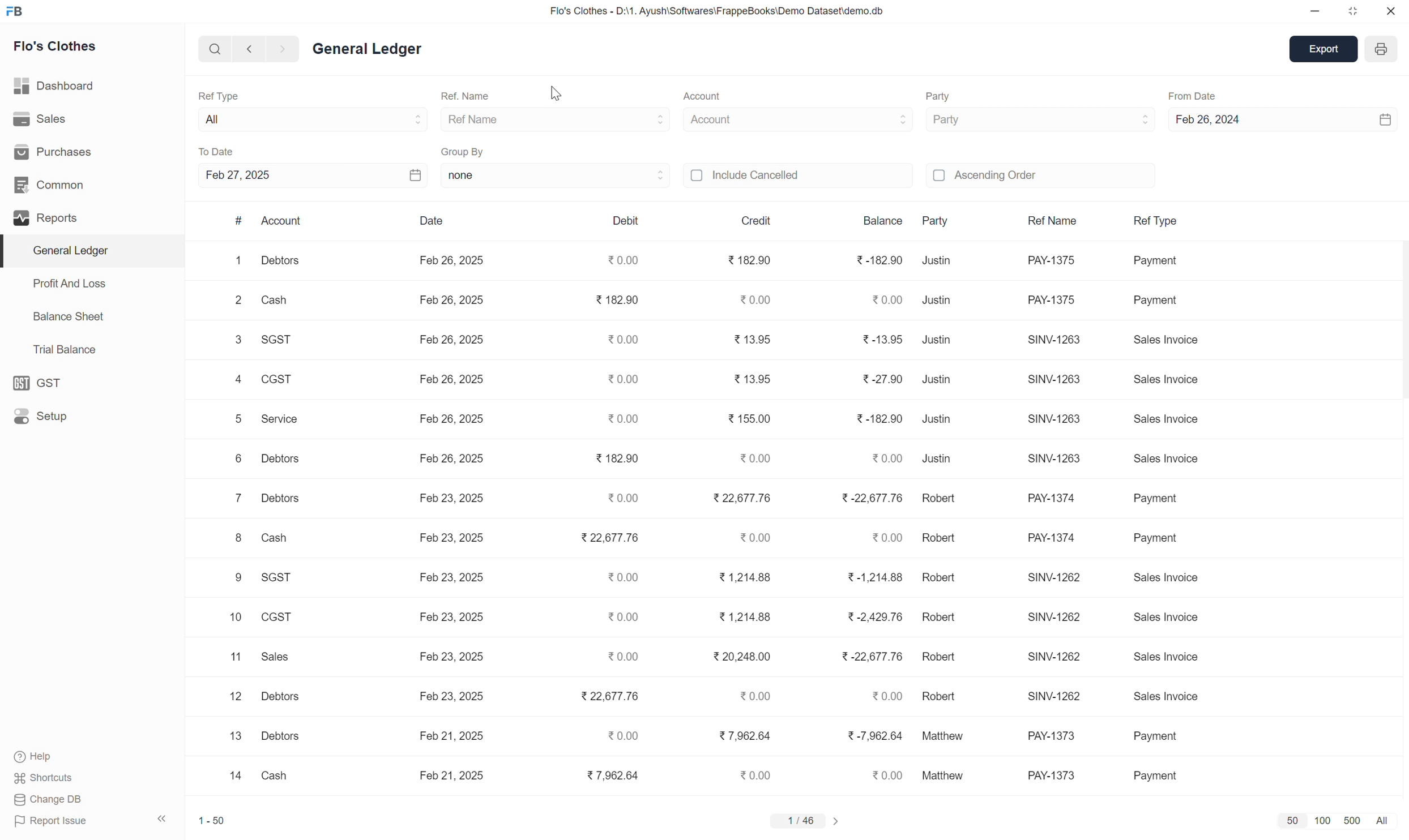 Image resolution: width=1409 pixels, height=840 pixels. I want to click on justin, so click(936, 339).